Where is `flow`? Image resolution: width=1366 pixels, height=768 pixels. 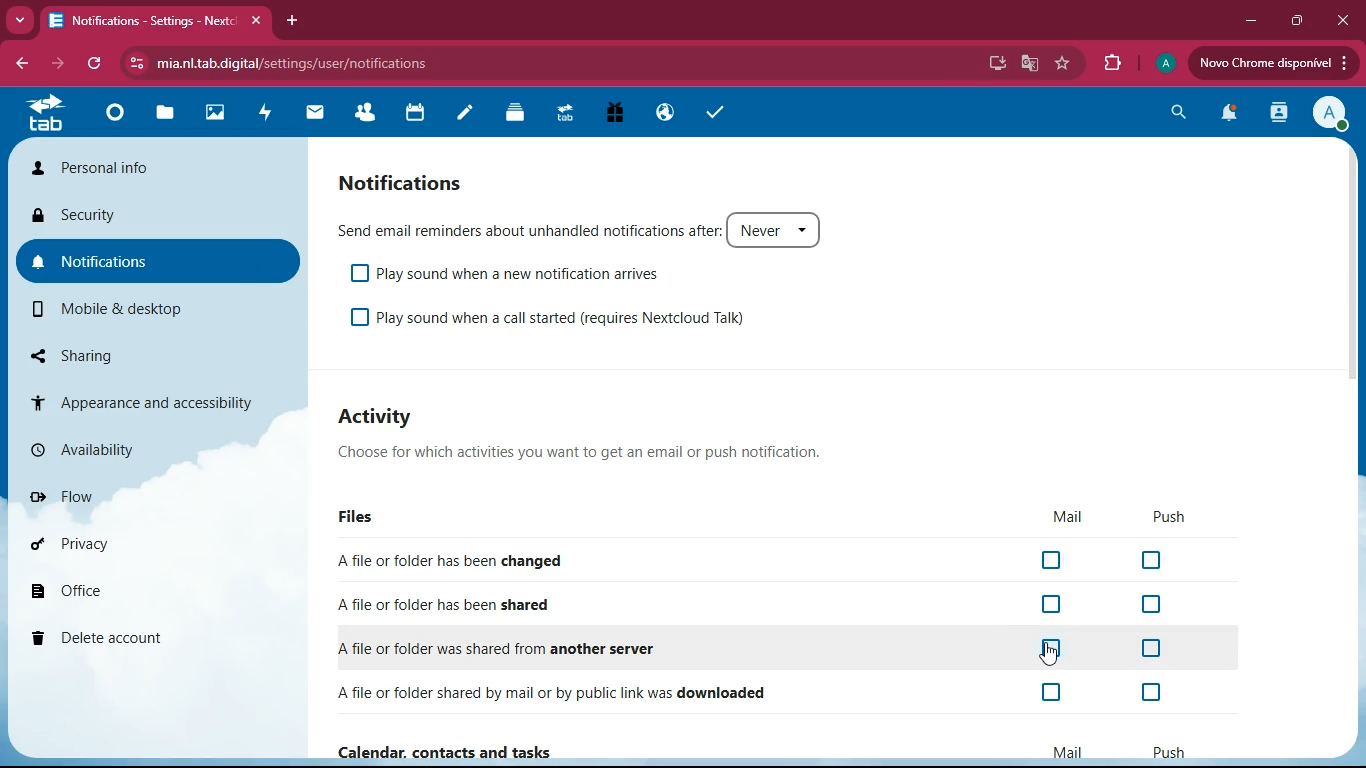 flow is located at coordinates (143, 500).